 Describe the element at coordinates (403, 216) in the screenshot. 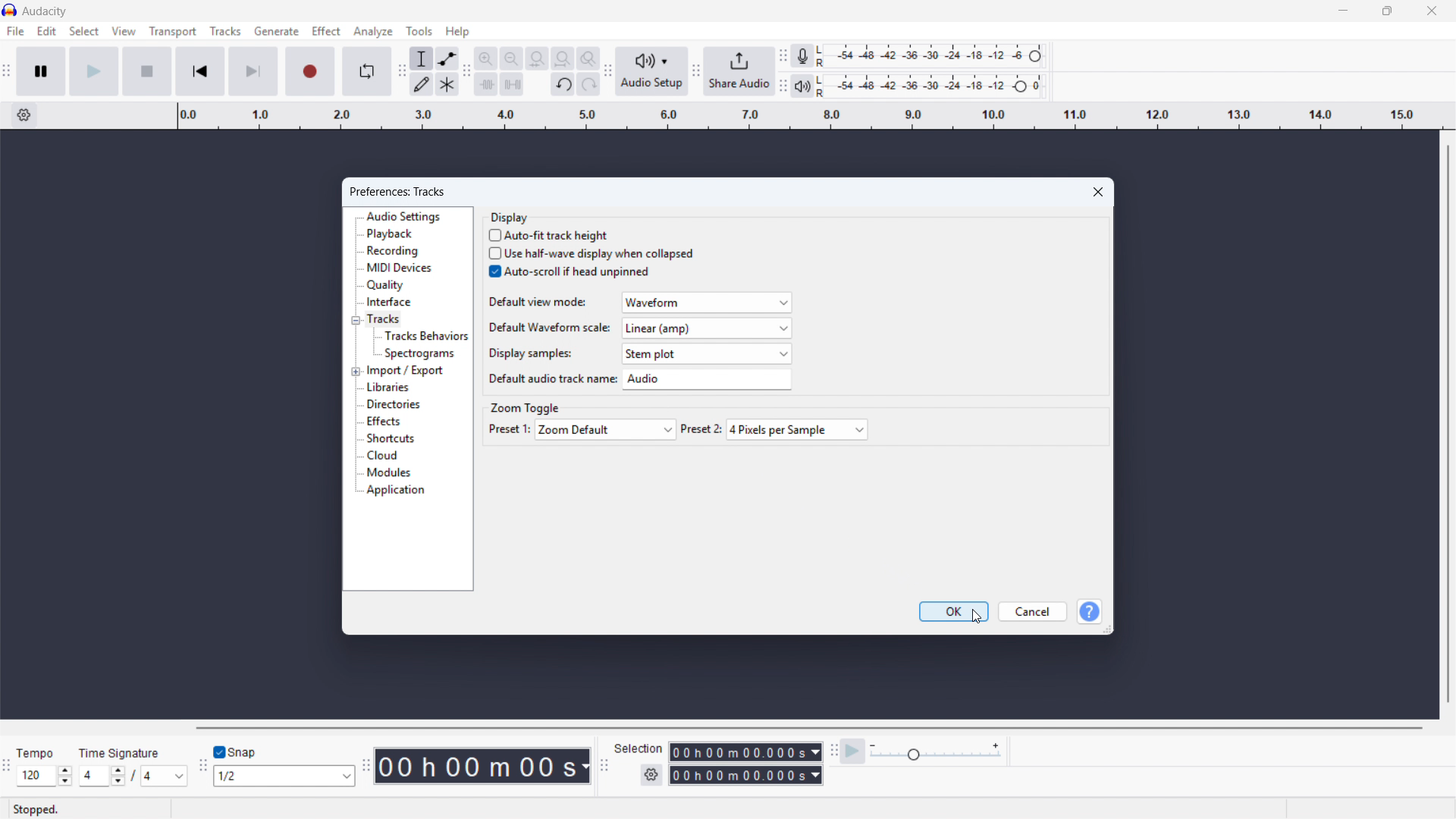

I see `audio settings` at that location.